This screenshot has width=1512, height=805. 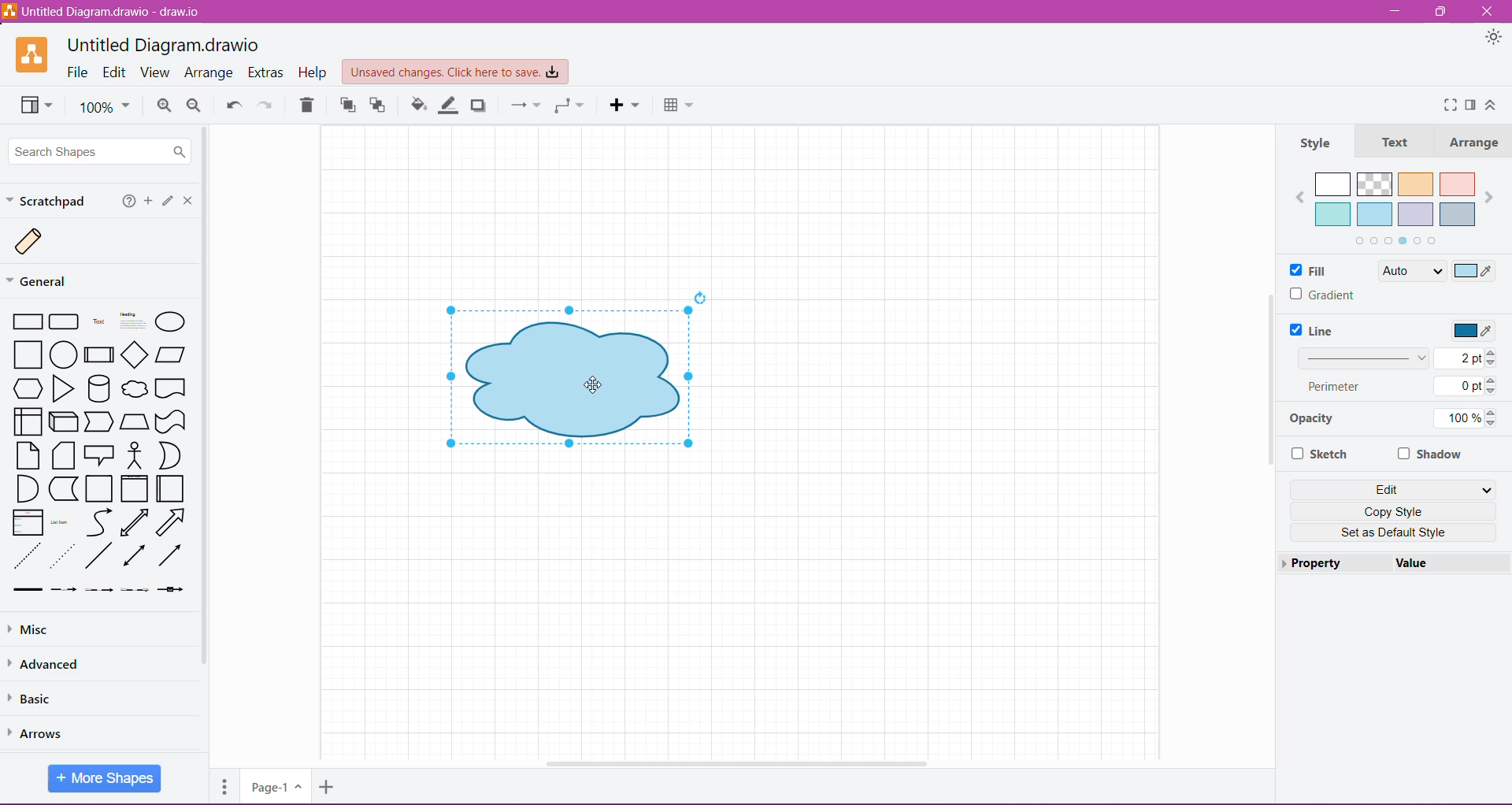 I want to click on Auto, so click(x=1411, y=271).